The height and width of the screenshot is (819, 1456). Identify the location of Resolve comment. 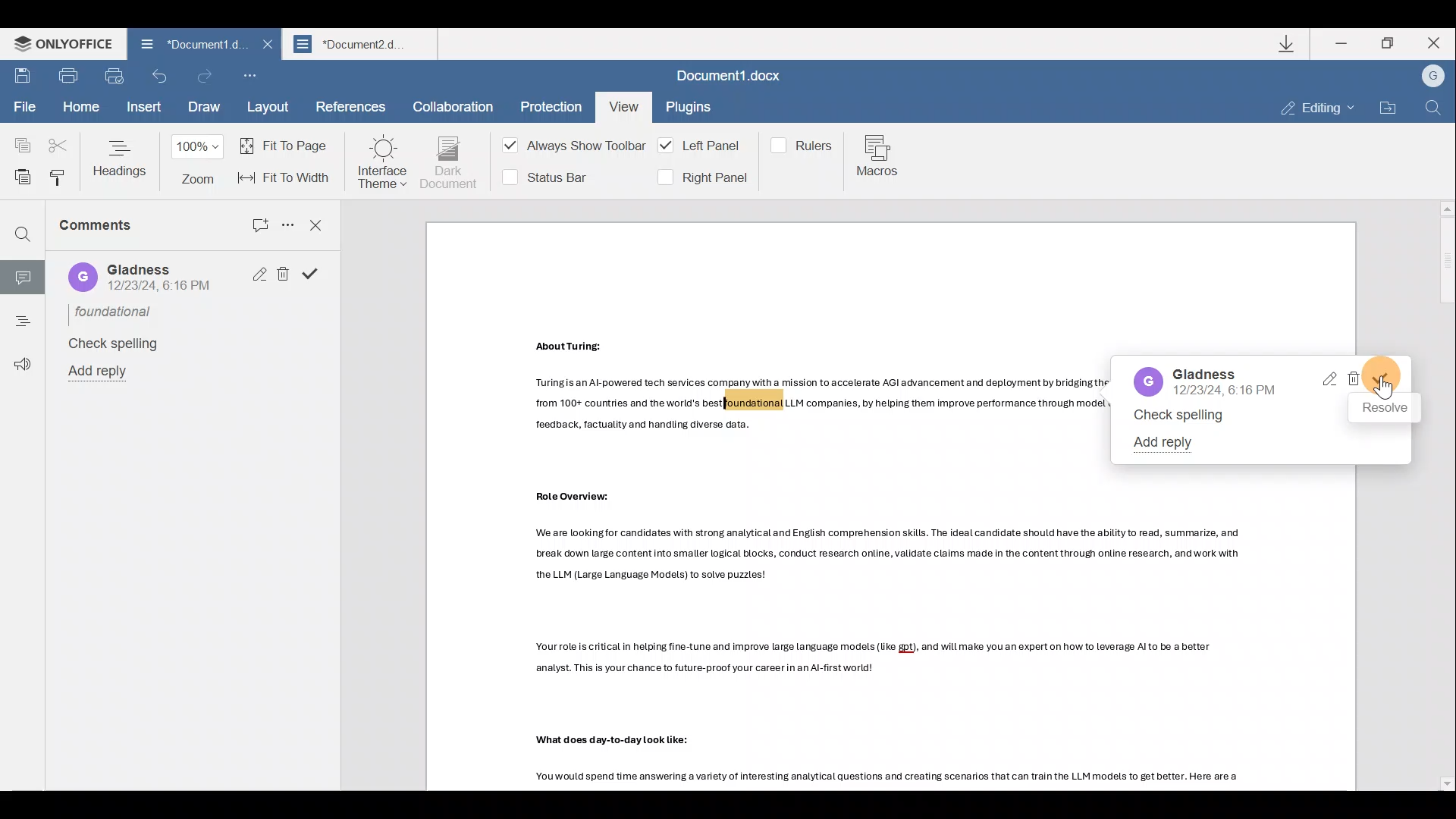
(1391, 379).